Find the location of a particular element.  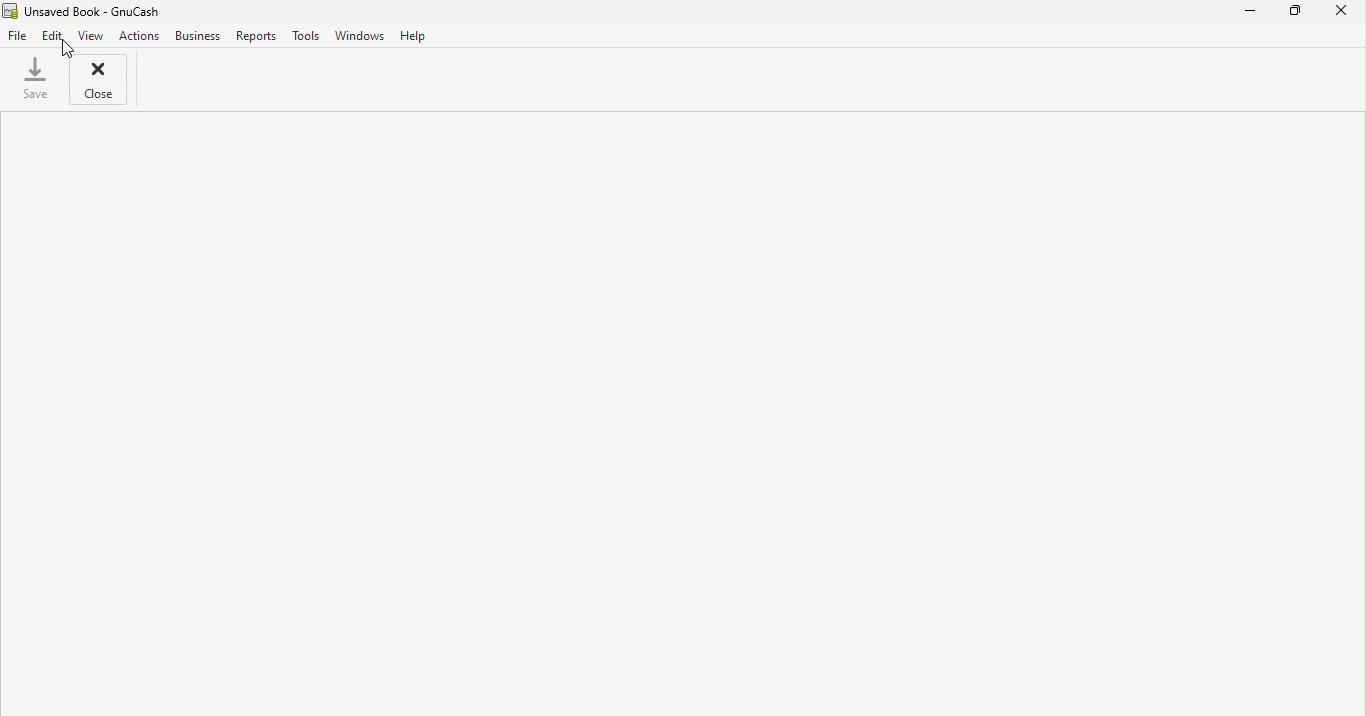

Cursor is located at coordinates (67, 49).